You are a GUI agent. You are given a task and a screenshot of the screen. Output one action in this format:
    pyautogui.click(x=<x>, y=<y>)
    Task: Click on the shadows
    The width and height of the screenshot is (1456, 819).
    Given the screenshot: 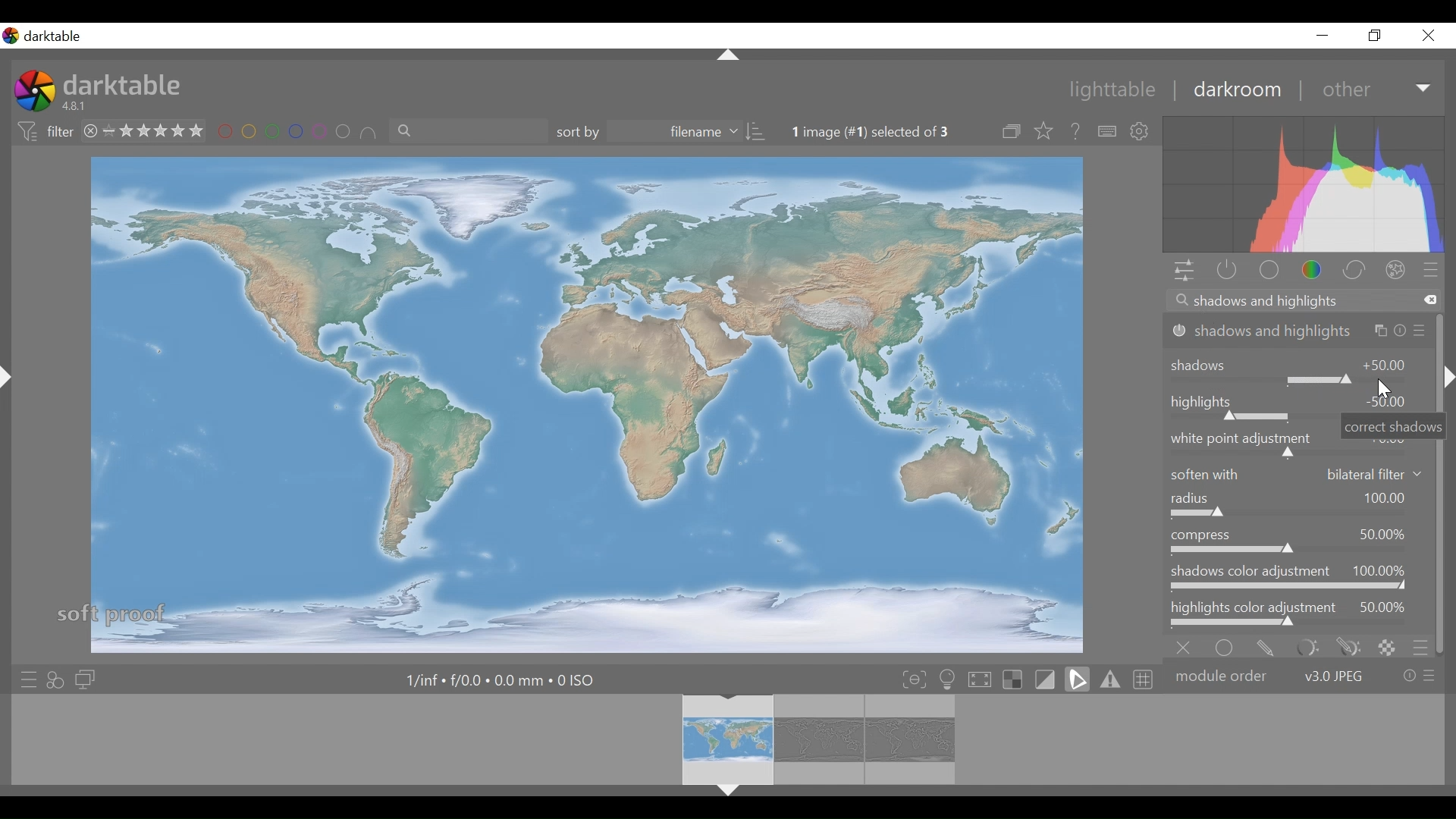 What is the action you would take?
    pyautogui.click(x=1298, y=367)
    